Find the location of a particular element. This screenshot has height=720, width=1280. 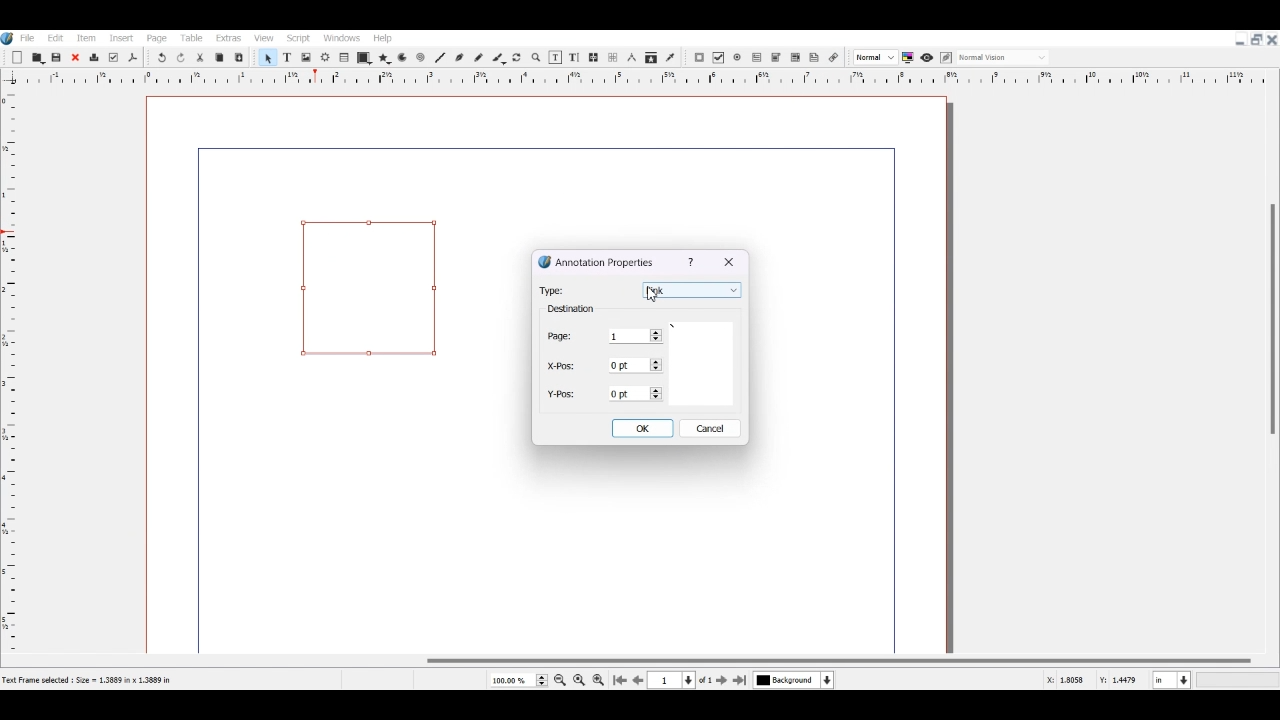

Undo is located at coordinates (161, 58).